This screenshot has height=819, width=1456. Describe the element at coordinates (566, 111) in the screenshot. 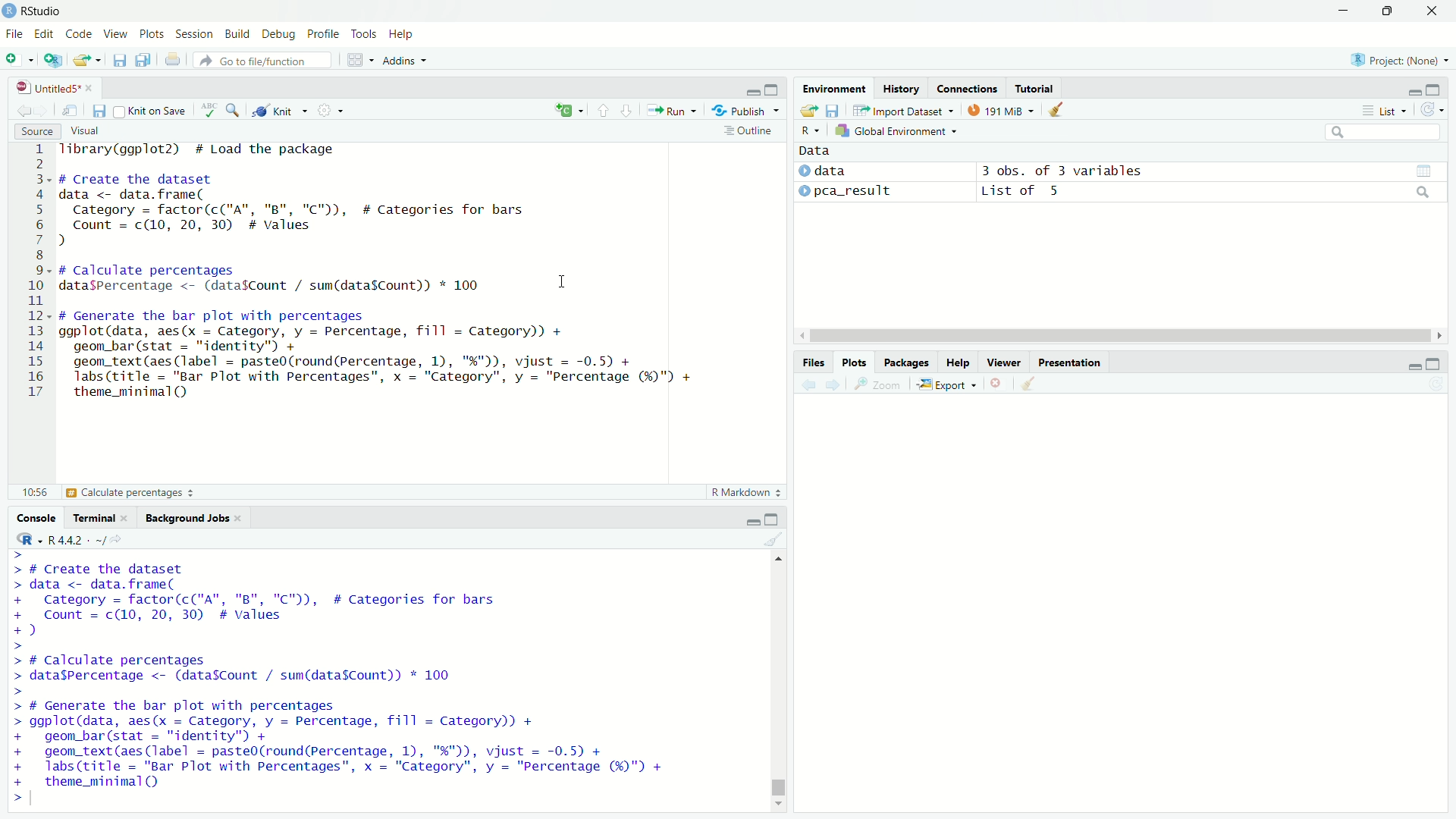

I see `language select` at that location.